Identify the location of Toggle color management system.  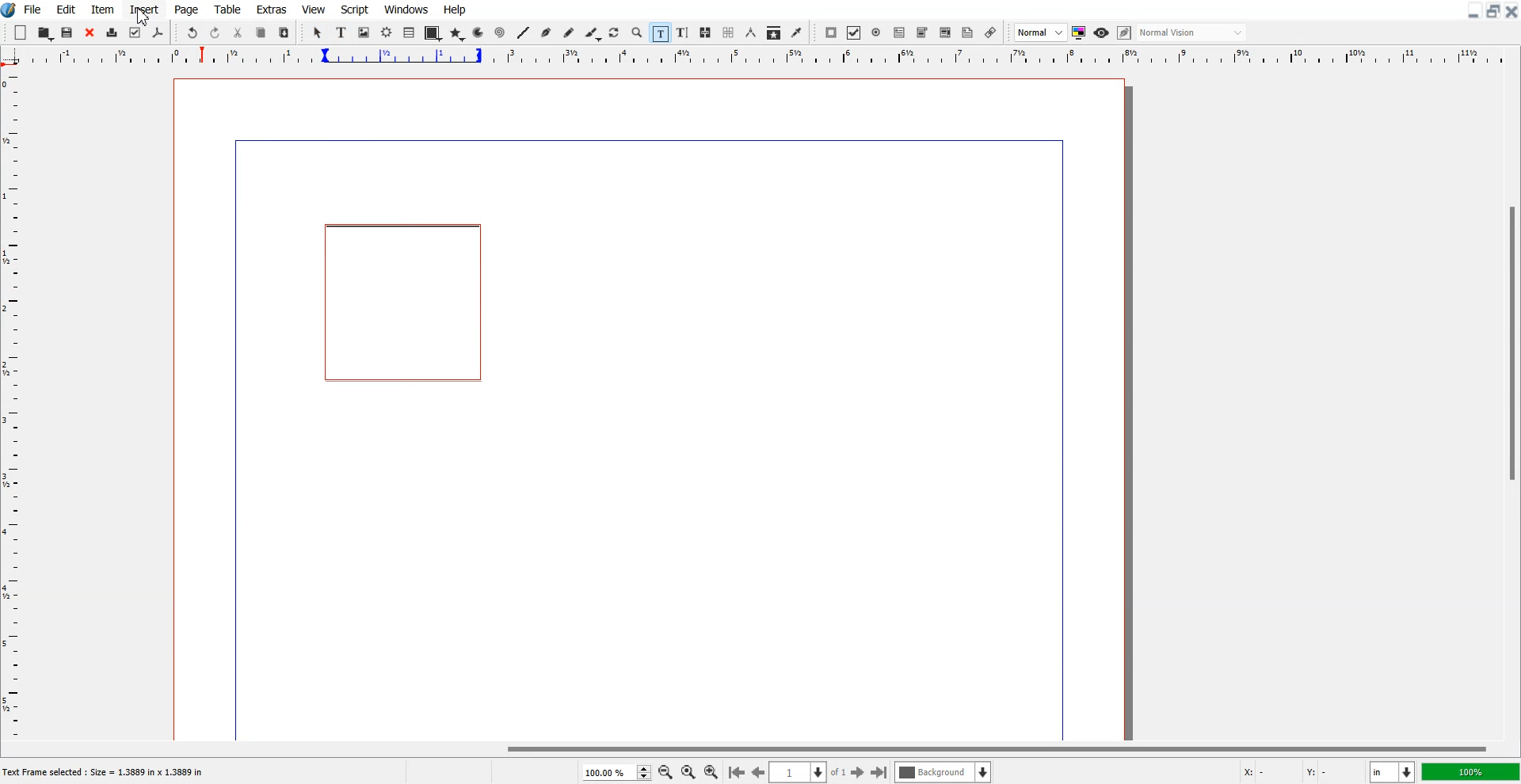
(1080, 32).